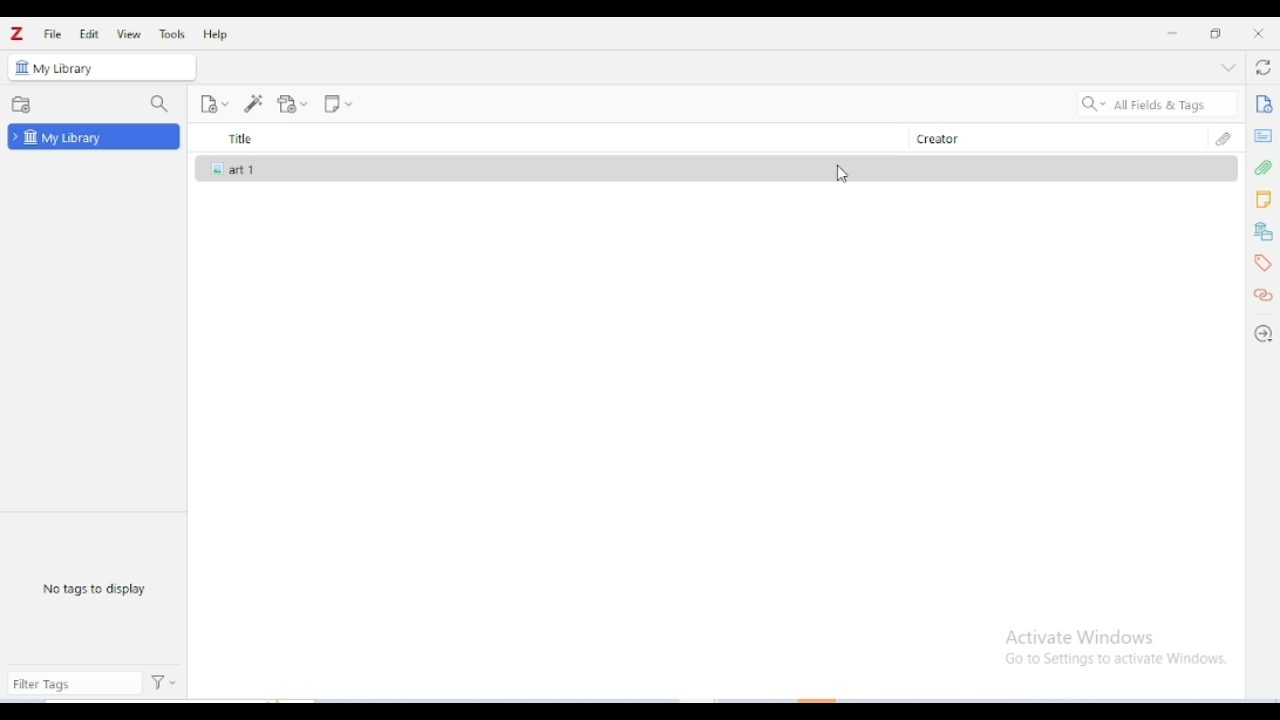  What do you see at coordinates (1056, 137) in the screenshot?
I see `creator` at bounding box center [1056, 137].